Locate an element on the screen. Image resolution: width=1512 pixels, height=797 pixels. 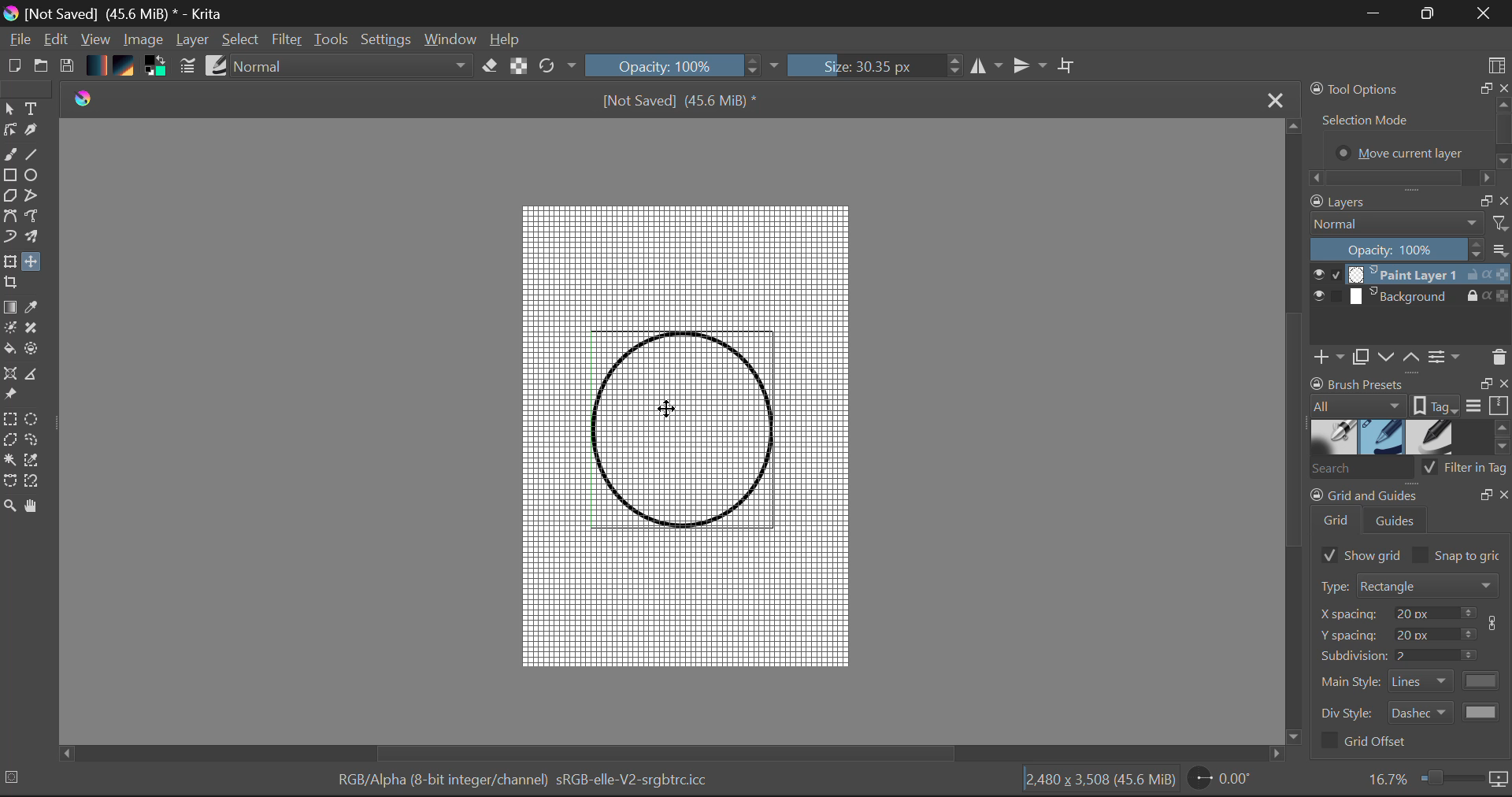
Colors in use is located at coordinates (159, 69).